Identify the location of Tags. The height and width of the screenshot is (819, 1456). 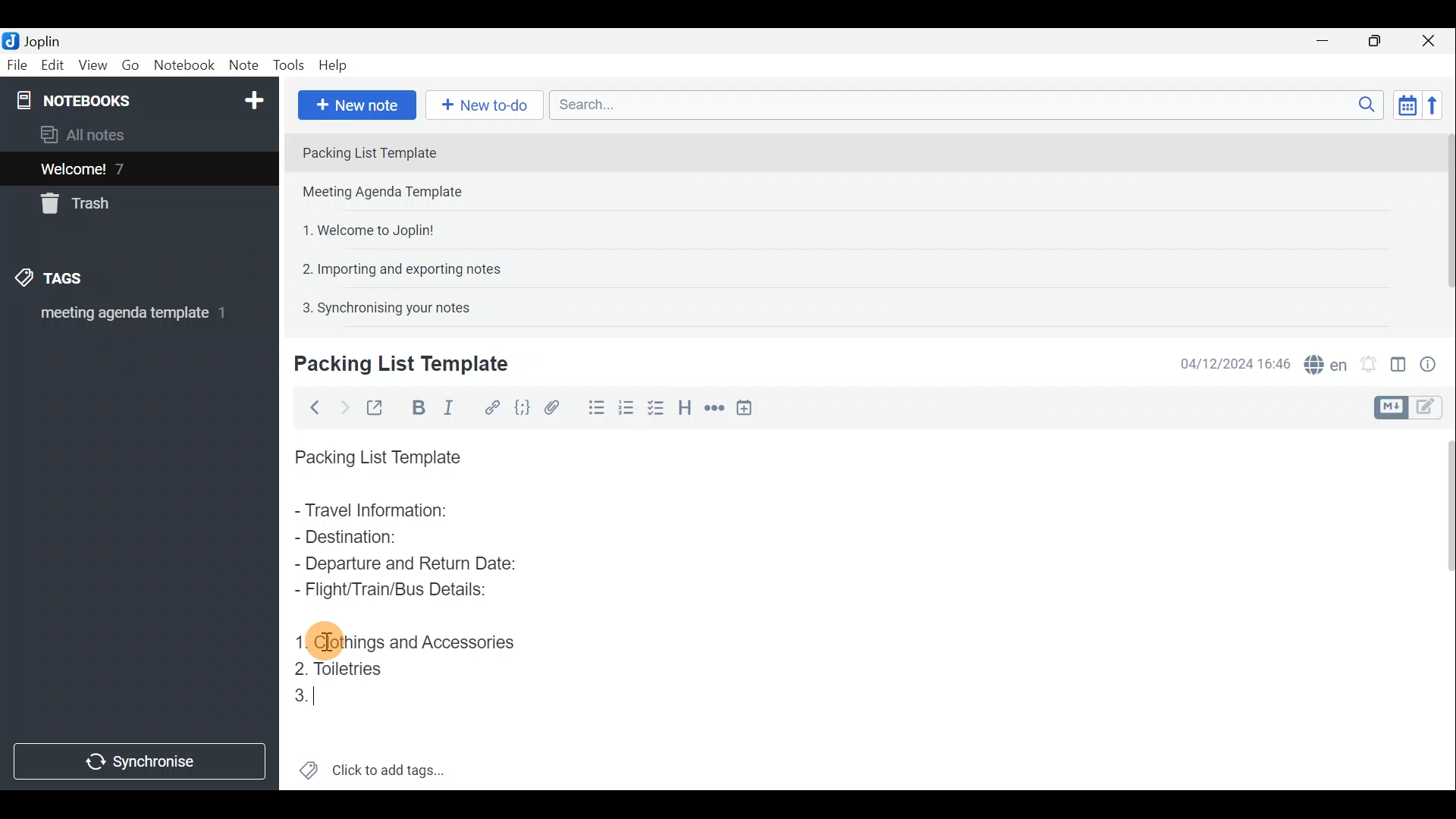
(74, 281).